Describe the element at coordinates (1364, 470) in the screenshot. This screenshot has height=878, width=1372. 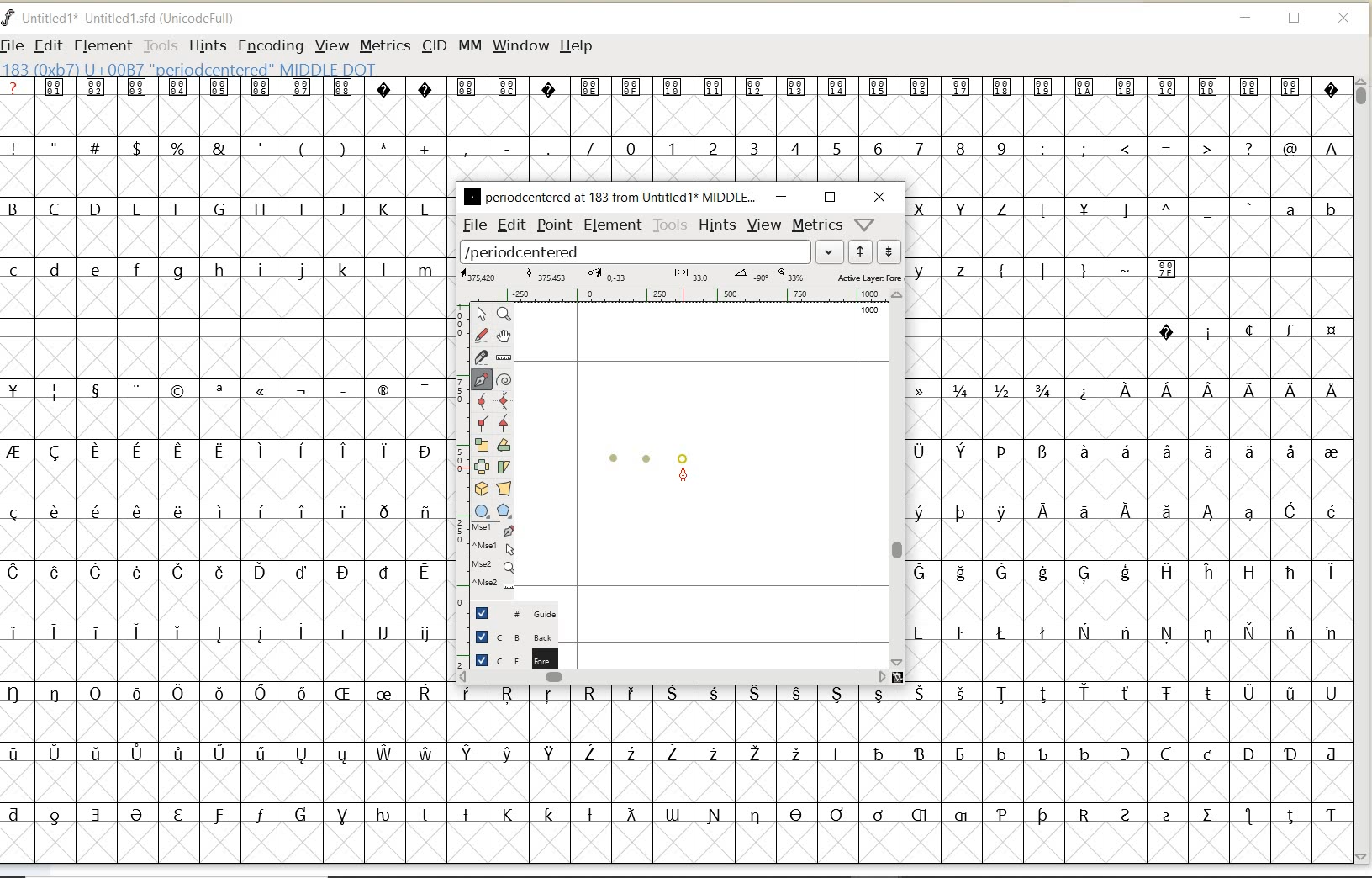
I see `SCROLLBAR` at that location.